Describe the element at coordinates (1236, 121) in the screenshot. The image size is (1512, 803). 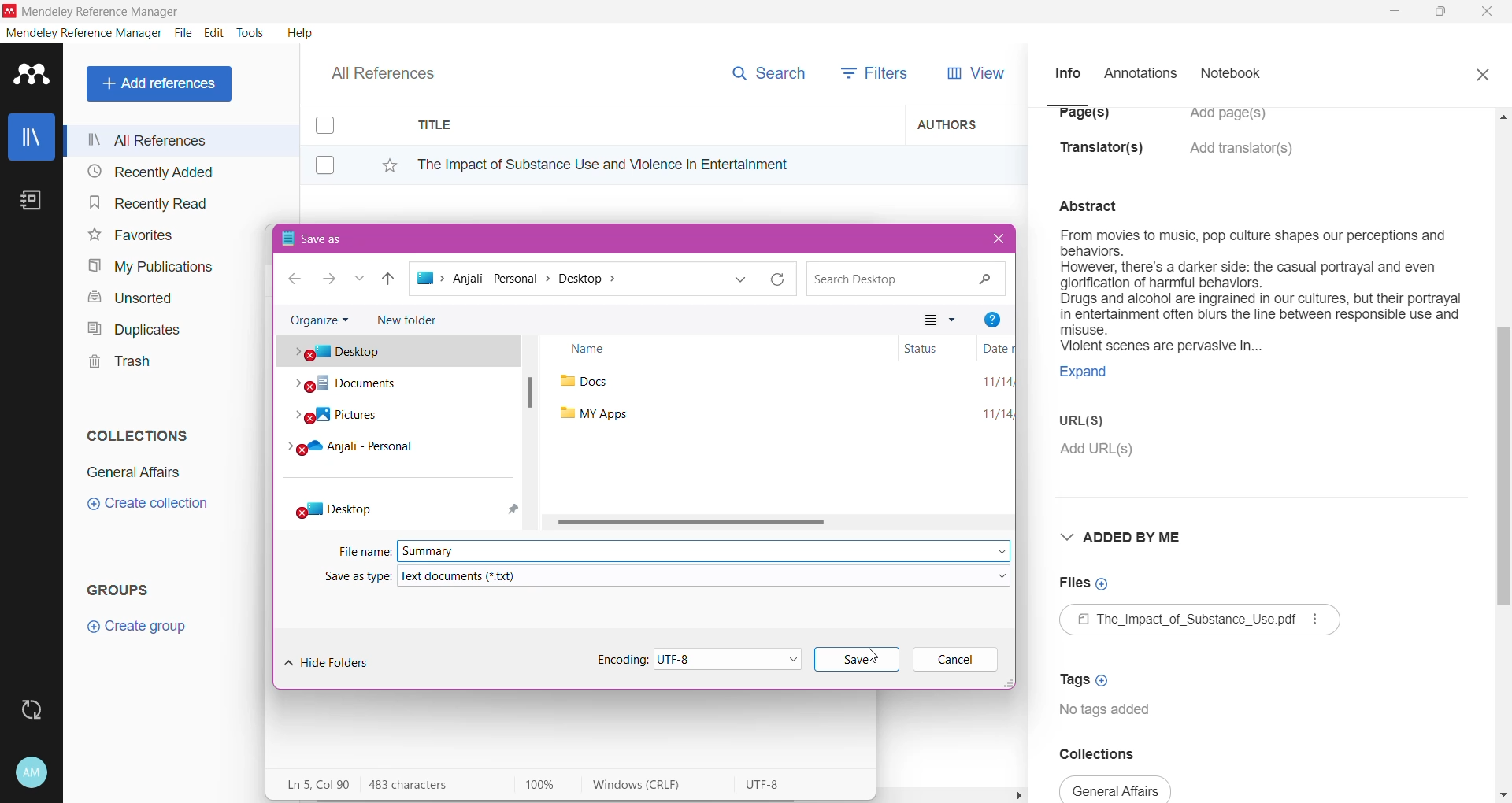
I see `Click to Add Pages` at that location.